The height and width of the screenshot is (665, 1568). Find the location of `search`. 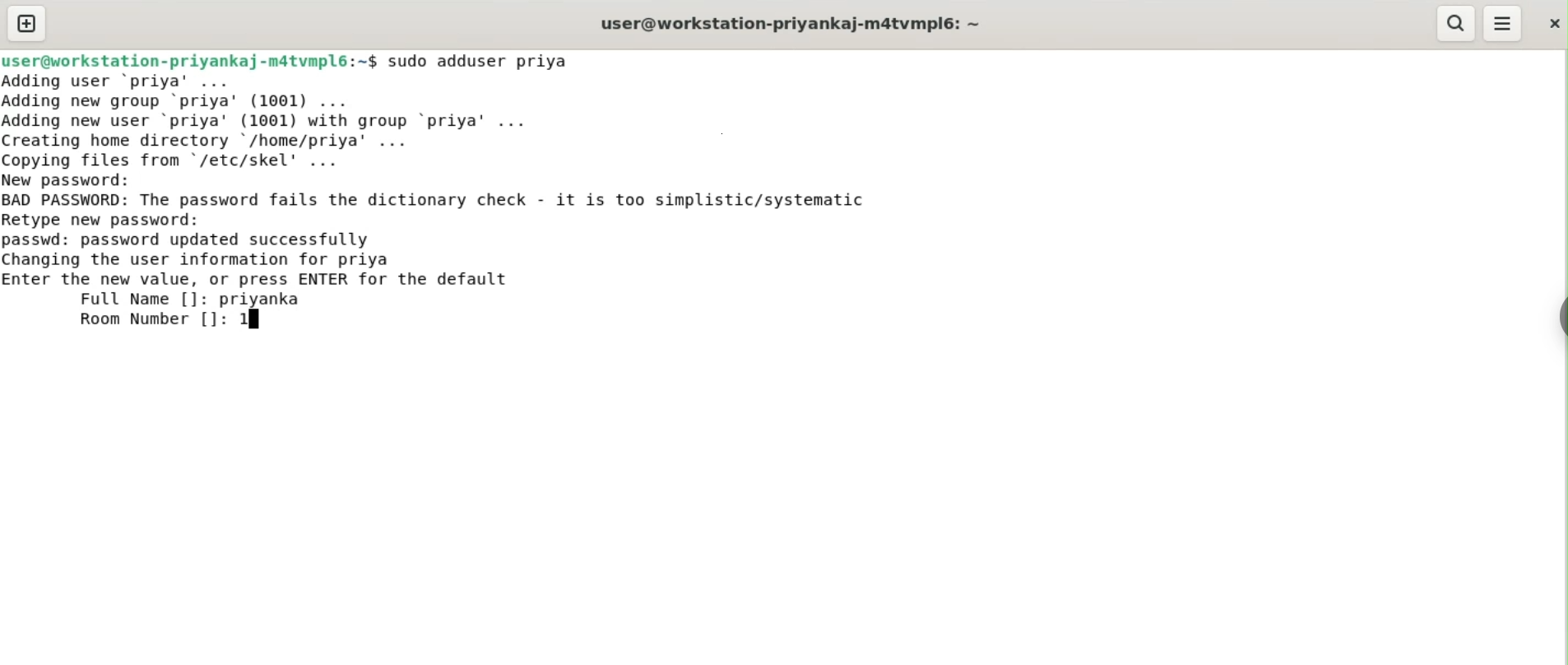

search is located at coordinates (1457, 24).